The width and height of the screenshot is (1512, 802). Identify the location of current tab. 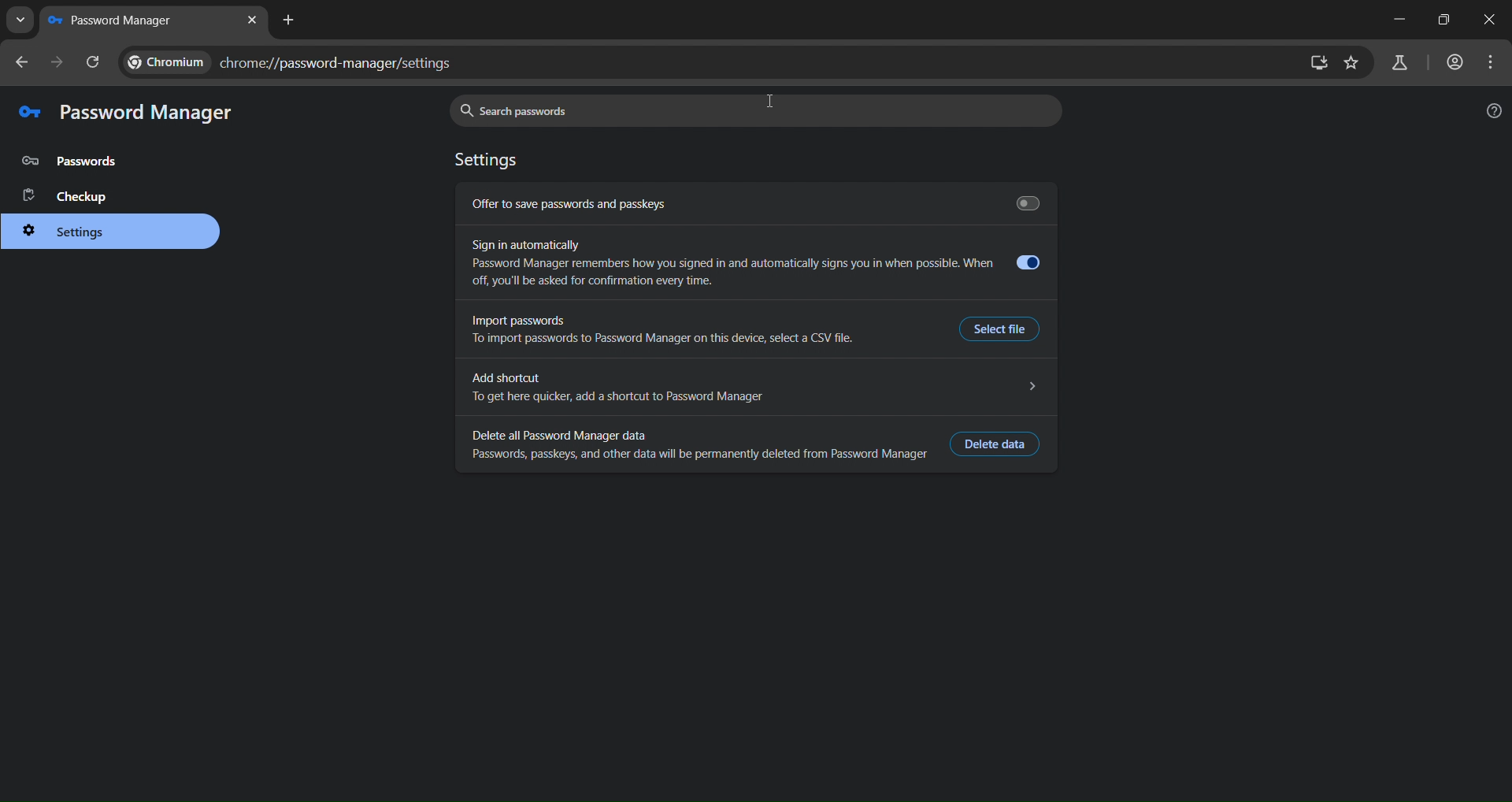
(130, 22).